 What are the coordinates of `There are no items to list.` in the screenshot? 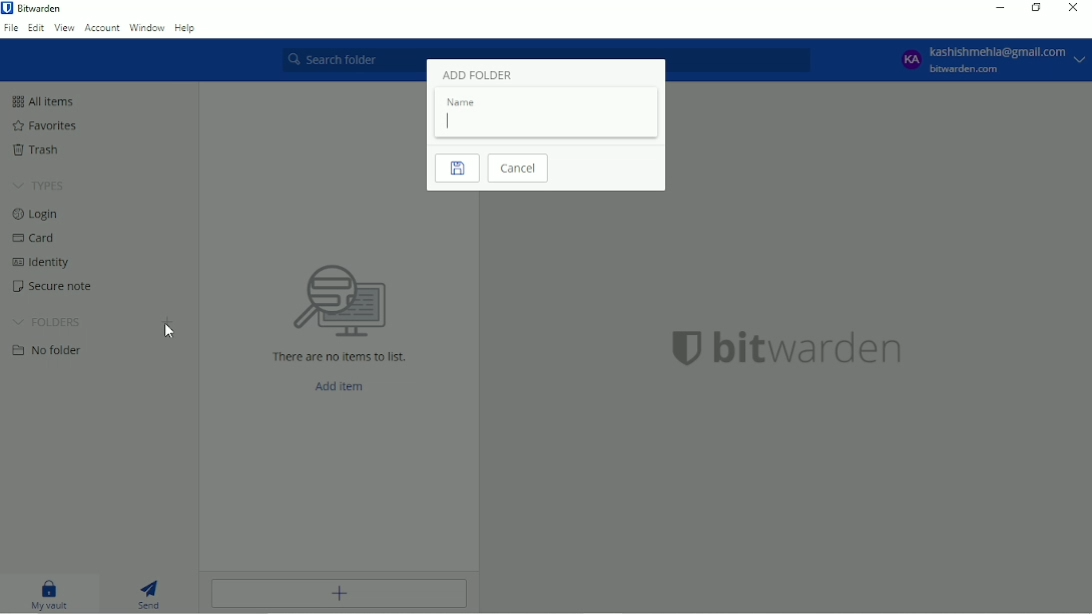 It's located at (339, 355).